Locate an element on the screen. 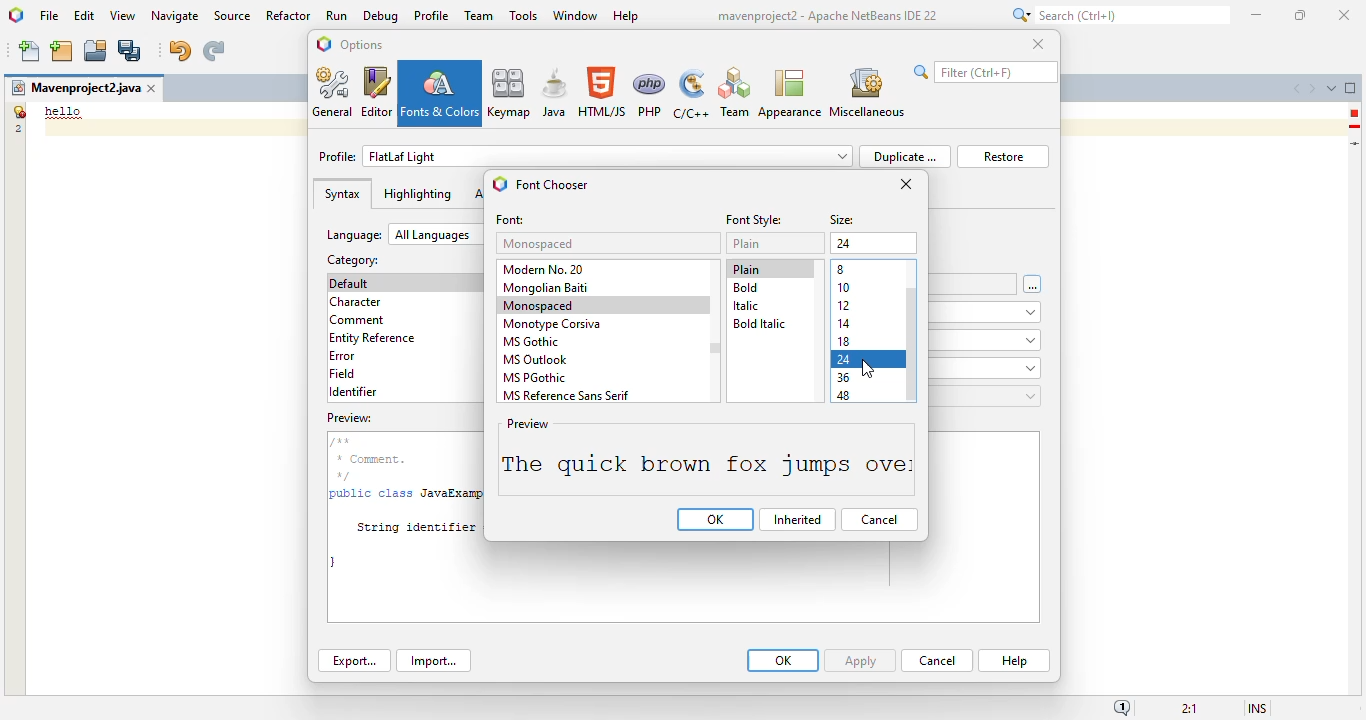 The height and width of the screenshot is (720, 1366). 18 is located at coordinates (844, 341).